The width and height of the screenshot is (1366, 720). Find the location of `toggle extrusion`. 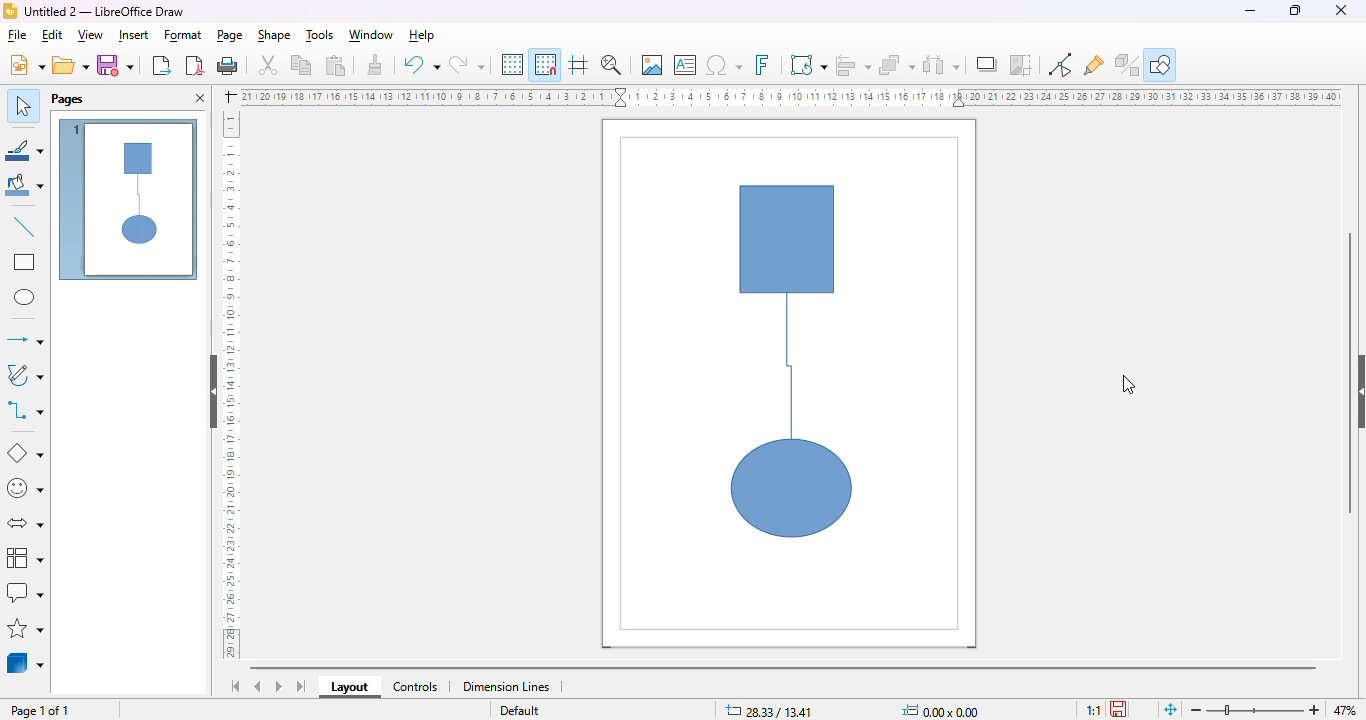

toggle extrusion is located at coordinates (1128, 65).